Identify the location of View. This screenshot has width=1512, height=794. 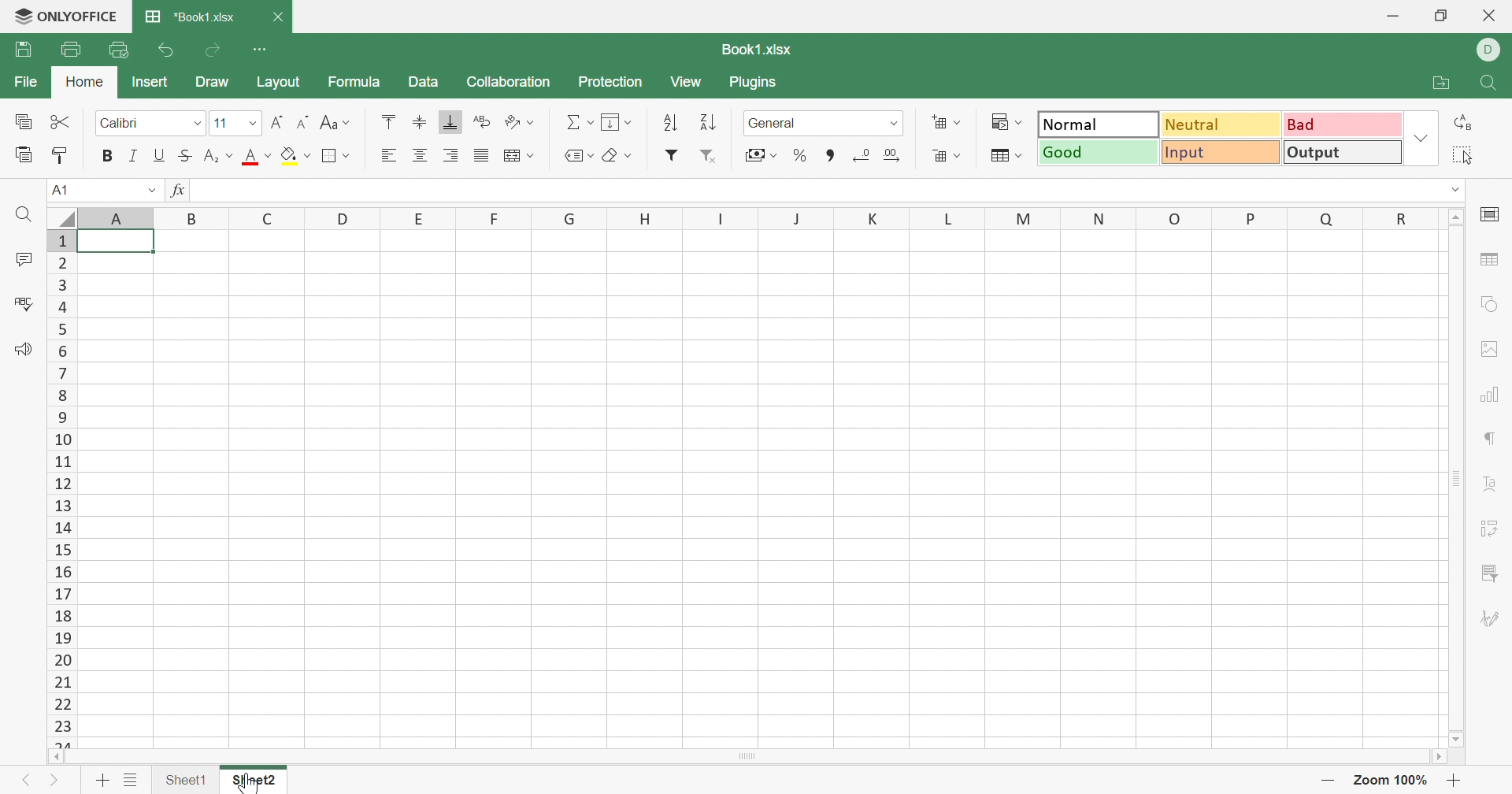
(687, 82).